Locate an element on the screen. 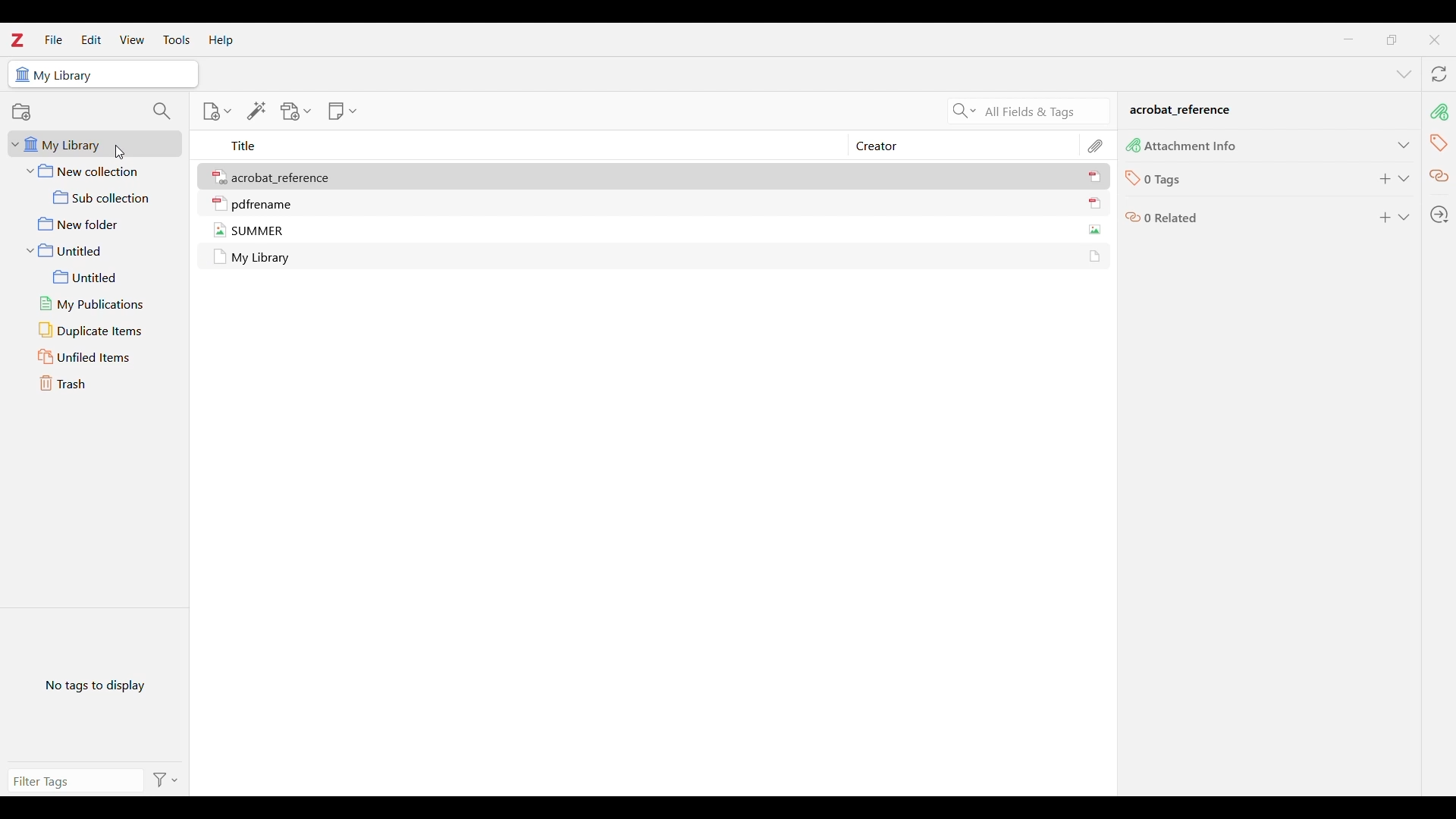  New item options is located at coordinates (217, 111).